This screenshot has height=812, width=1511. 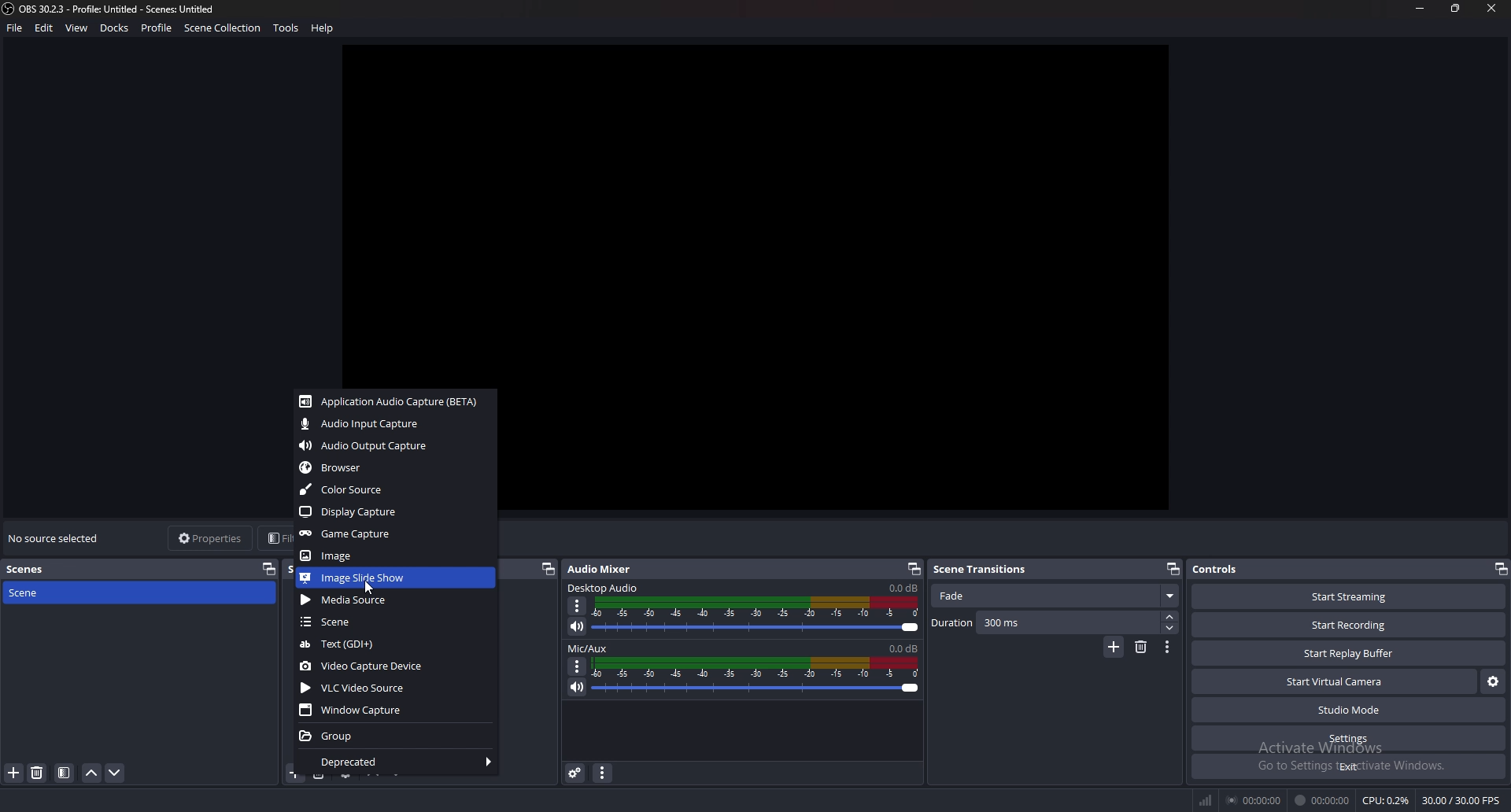 I want to click on mic/aux, so click(x=592, y=648).